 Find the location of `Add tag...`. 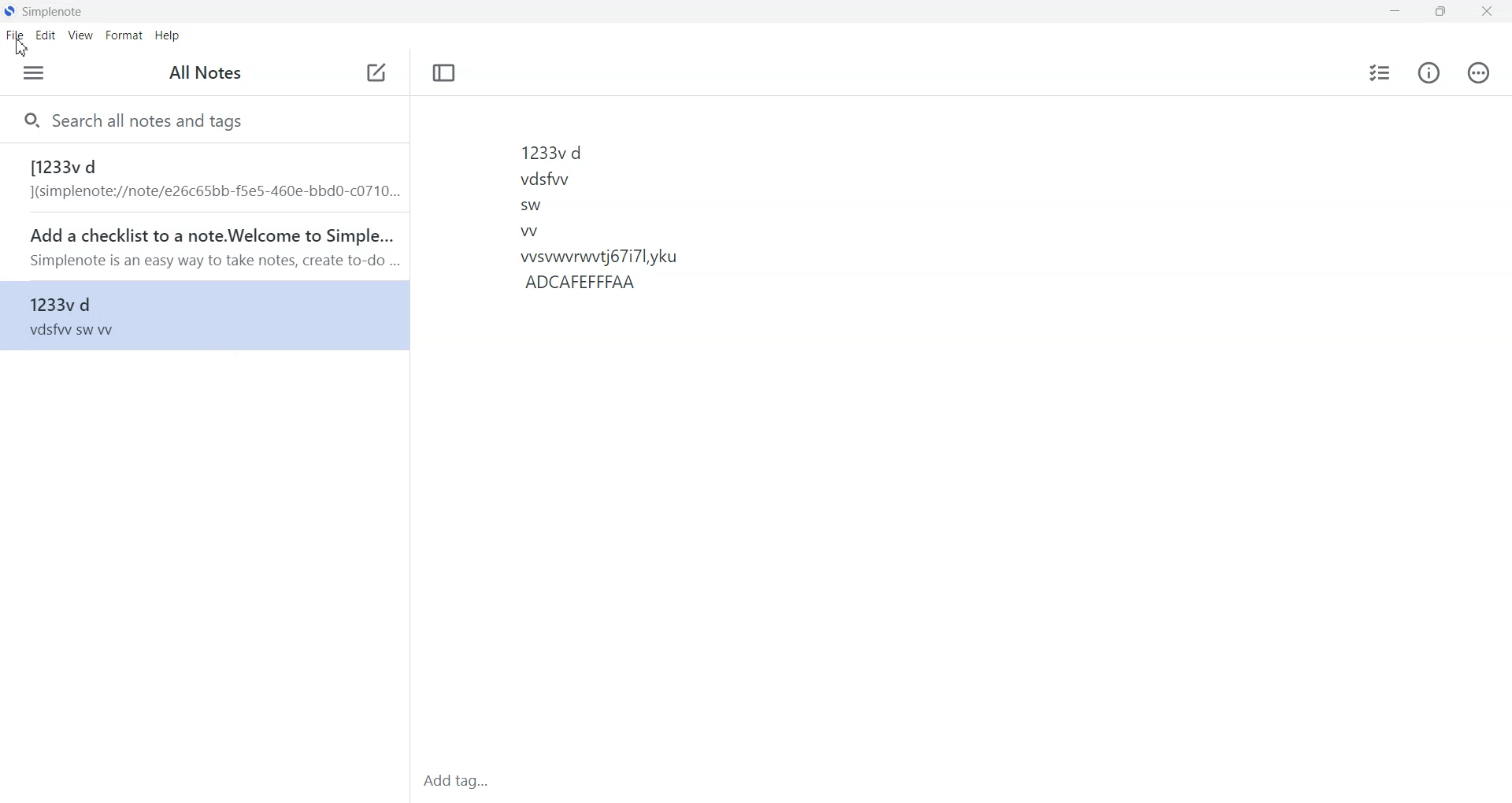

Add tag... is located at coordinates (469, 779).